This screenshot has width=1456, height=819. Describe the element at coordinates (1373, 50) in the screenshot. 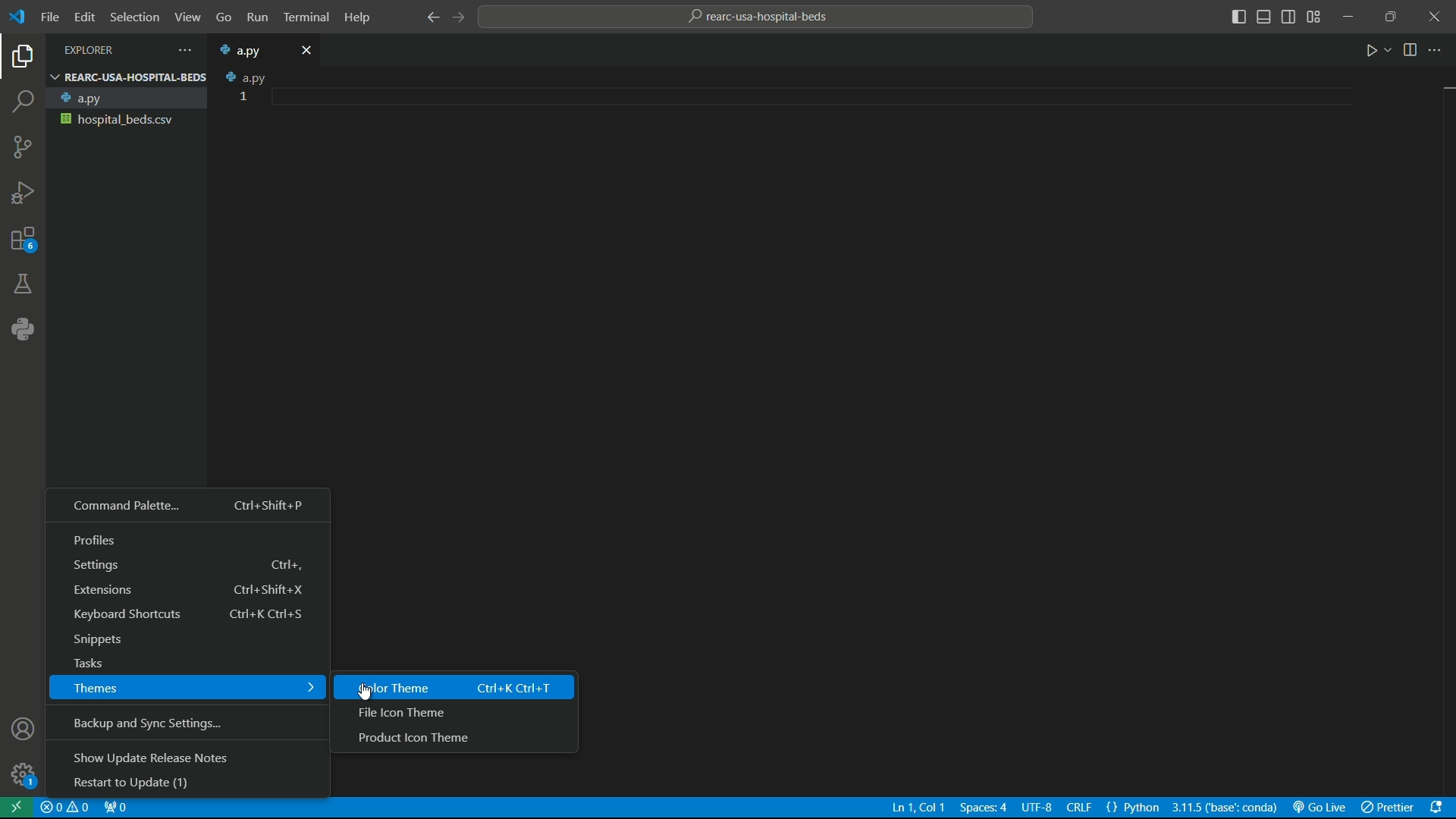

I see `run code` at that location.